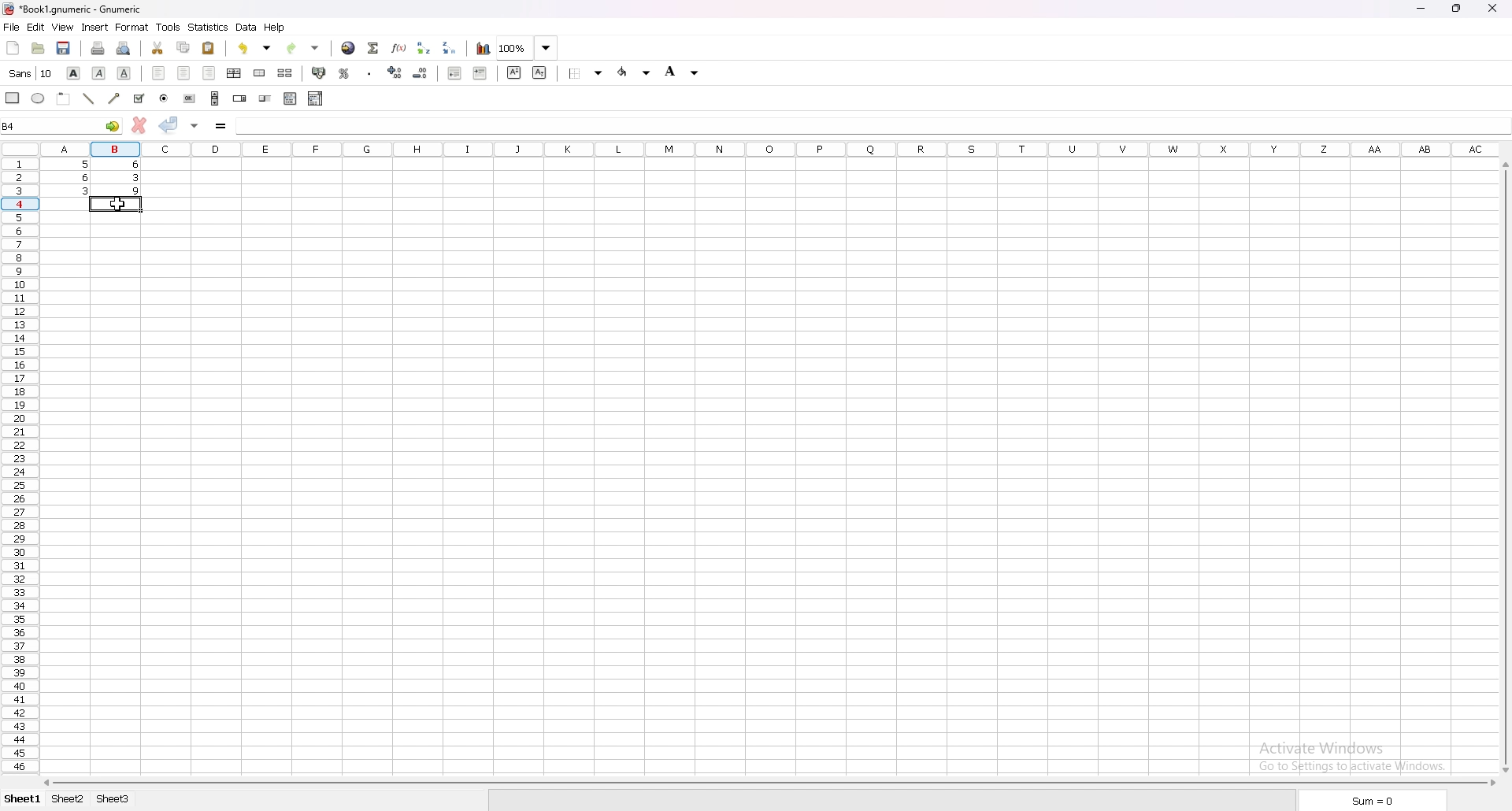 This screenshot has width=1512, height=811. I want to click on spin button, so click(239, 98).